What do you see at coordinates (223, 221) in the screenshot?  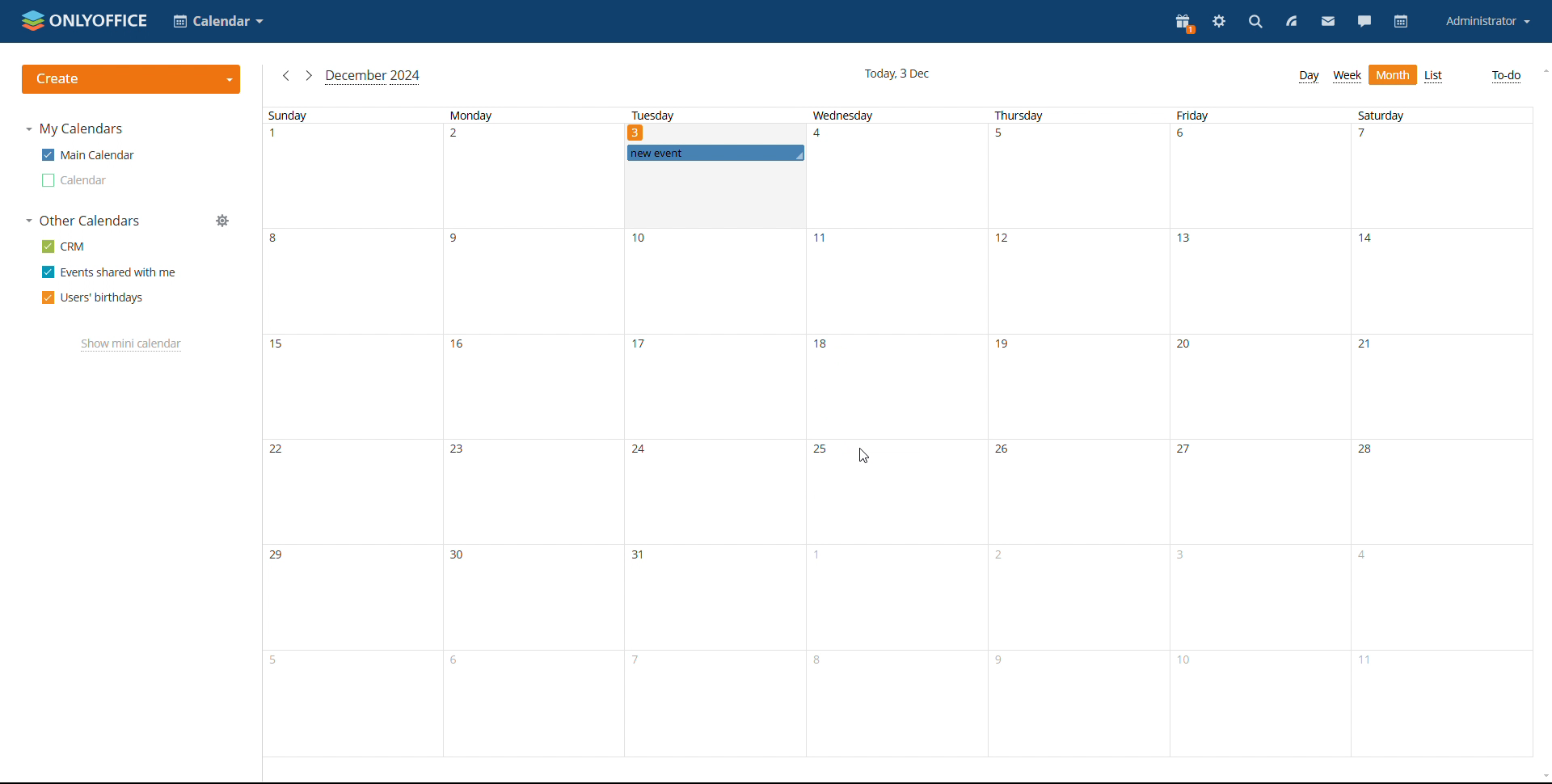 I see `manage` at bounding box center [223, 221].